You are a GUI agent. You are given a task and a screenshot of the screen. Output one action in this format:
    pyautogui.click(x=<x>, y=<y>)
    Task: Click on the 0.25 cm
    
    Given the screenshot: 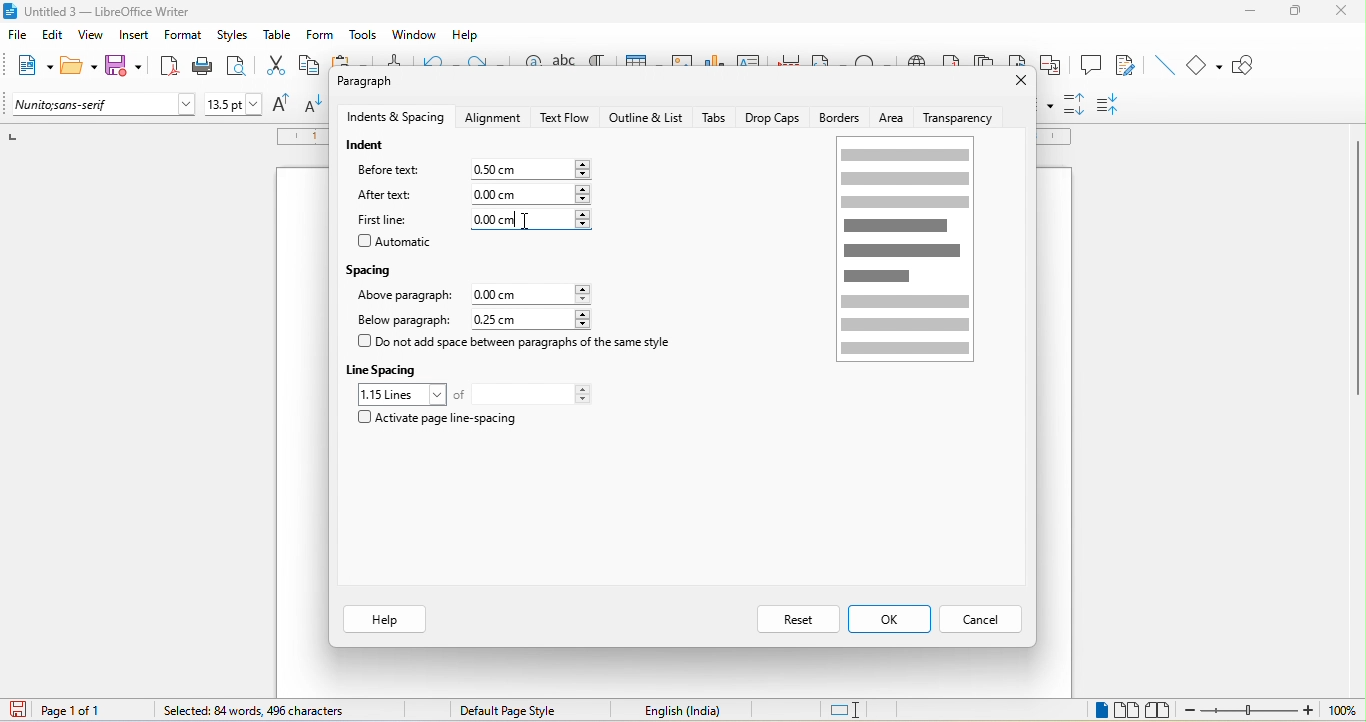 What is the action you would take?
    pyautogui.click(x=517, y=320)
    